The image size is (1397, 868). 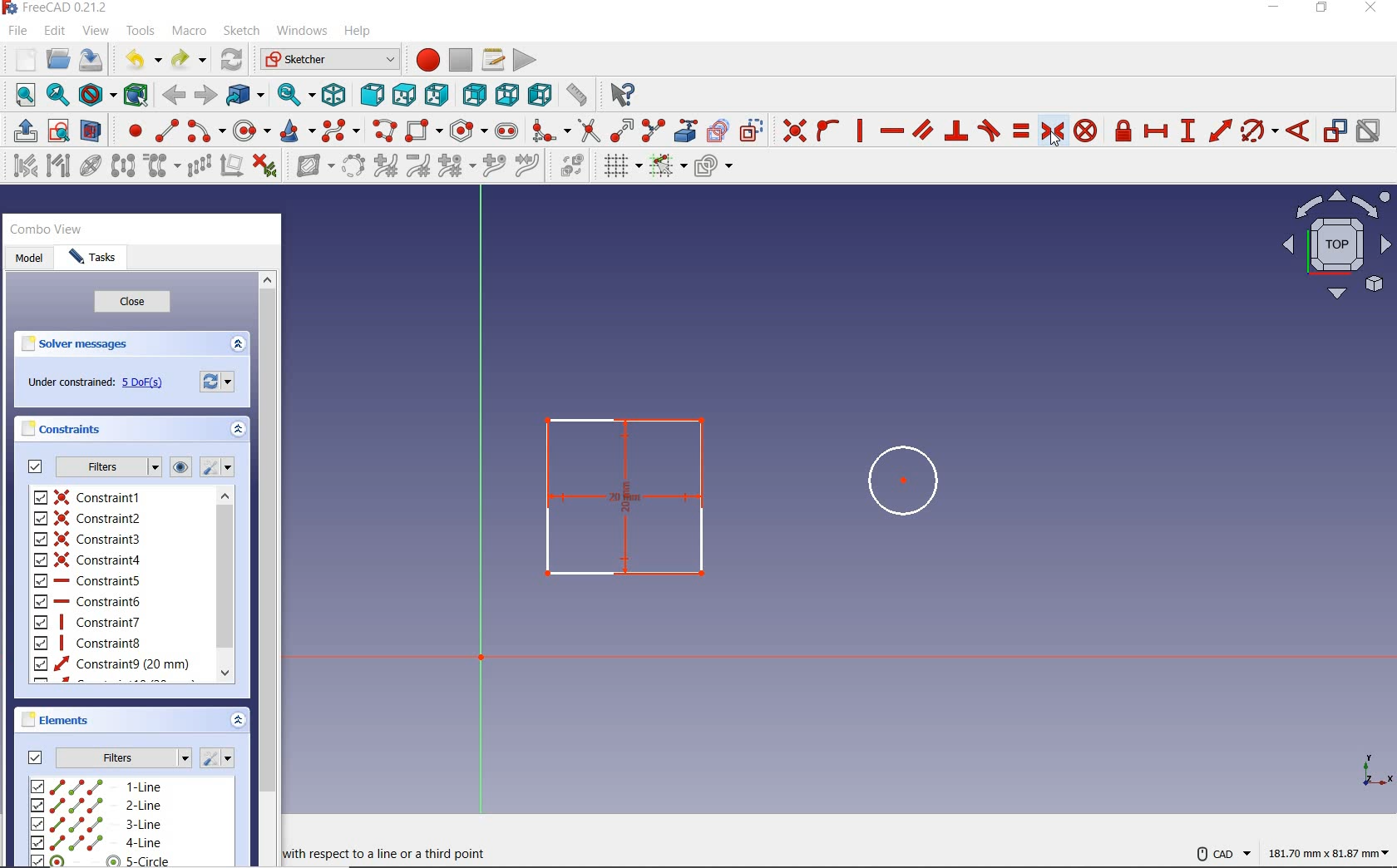 I want to click on constraint coincident, so click(x=792, y=129).